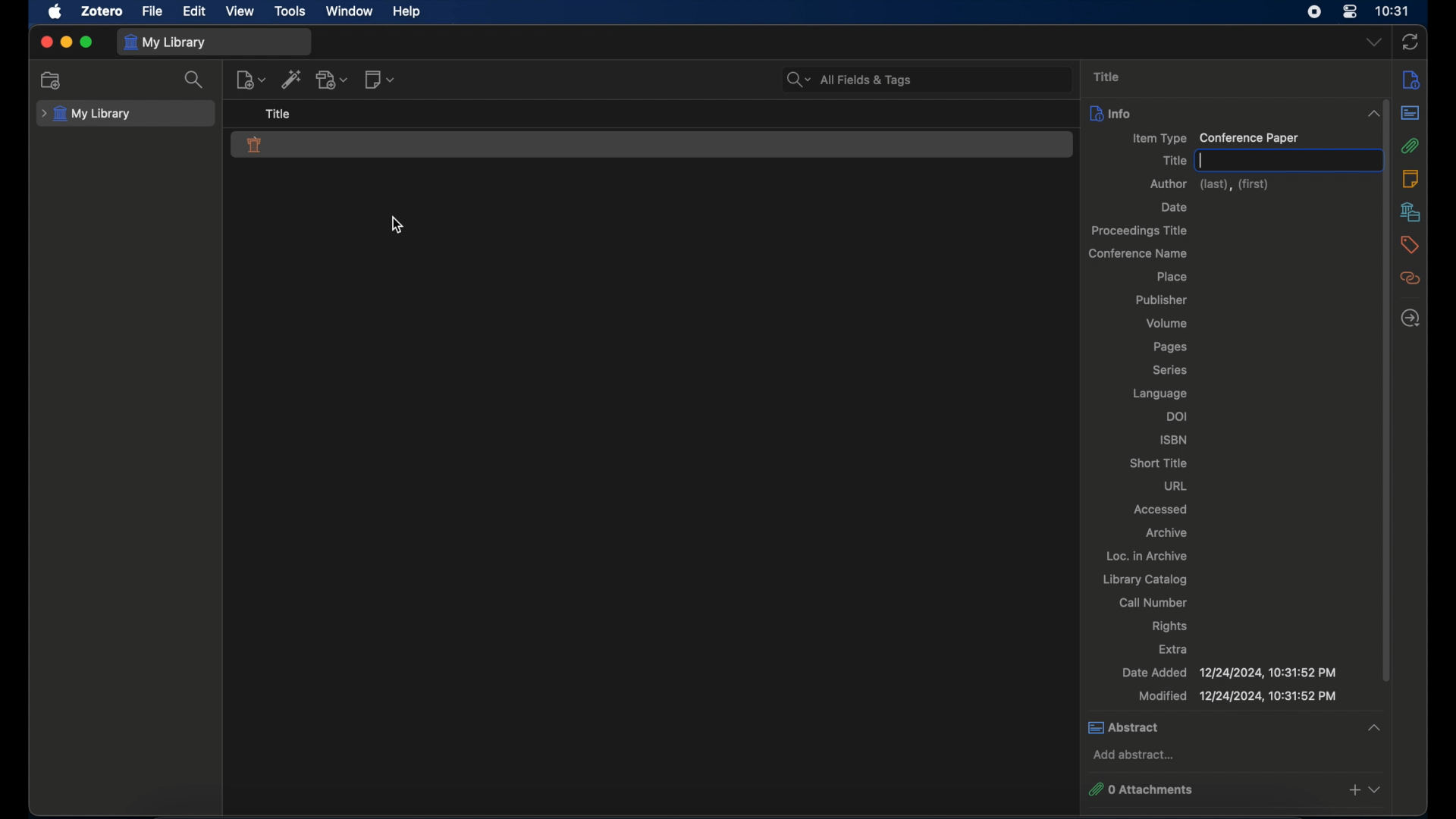  I want to click on my library, so click(86, 115).